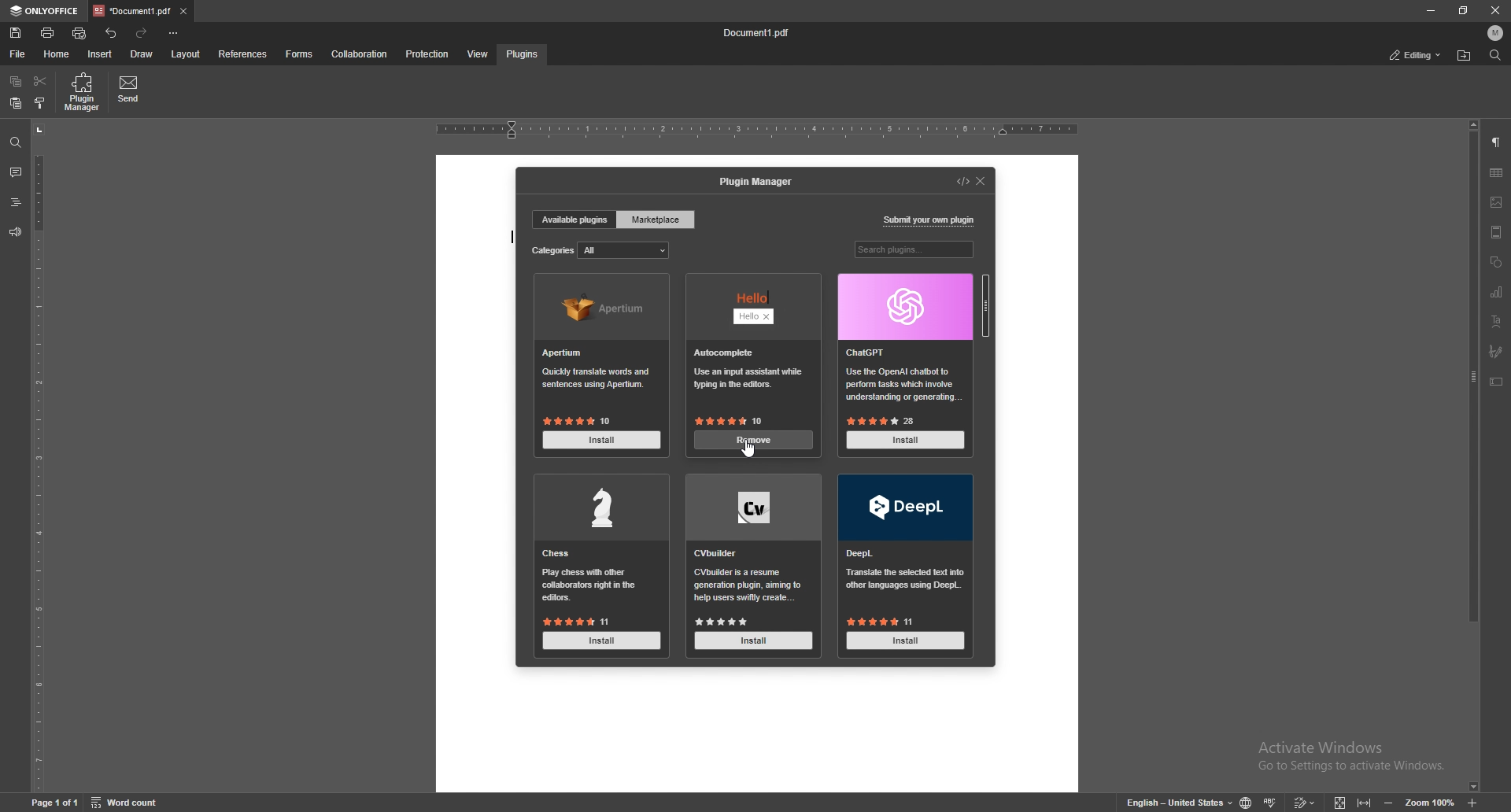  I want to click on cut, so click(40, 82).